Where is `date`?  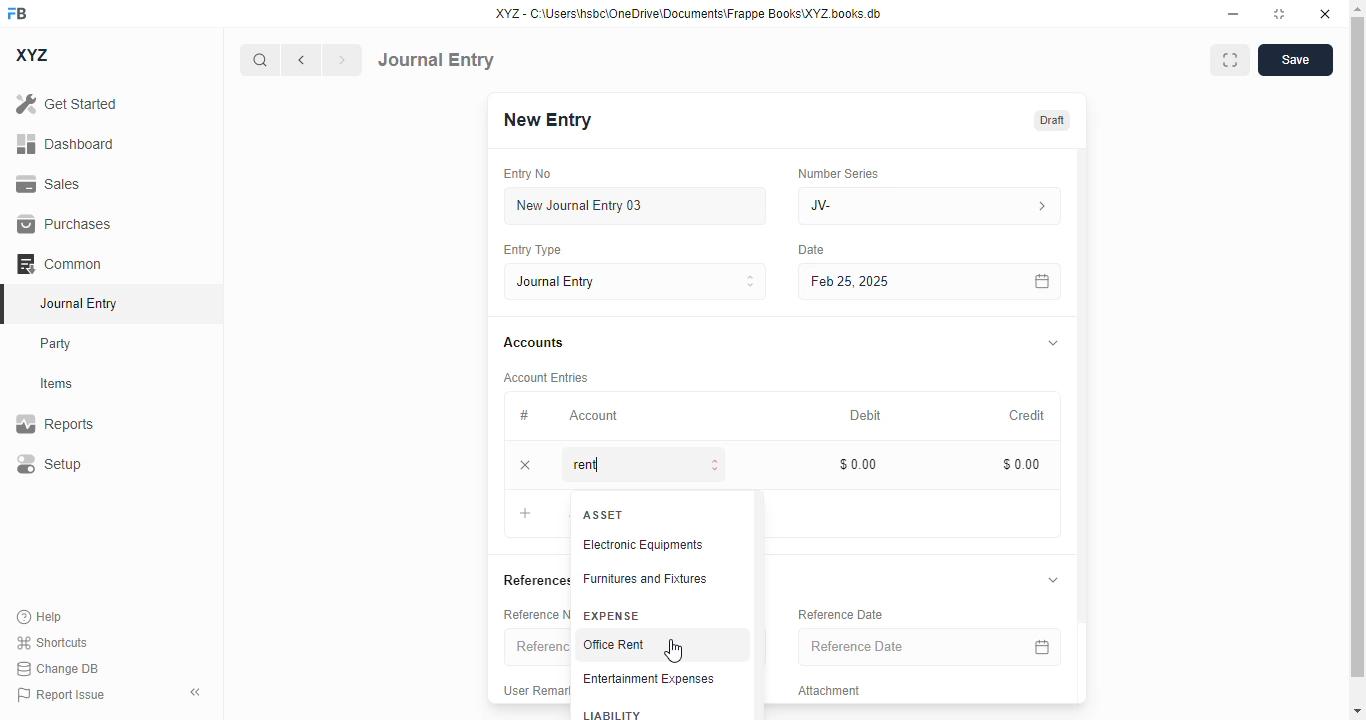 date is located at coordinates (812, 249).